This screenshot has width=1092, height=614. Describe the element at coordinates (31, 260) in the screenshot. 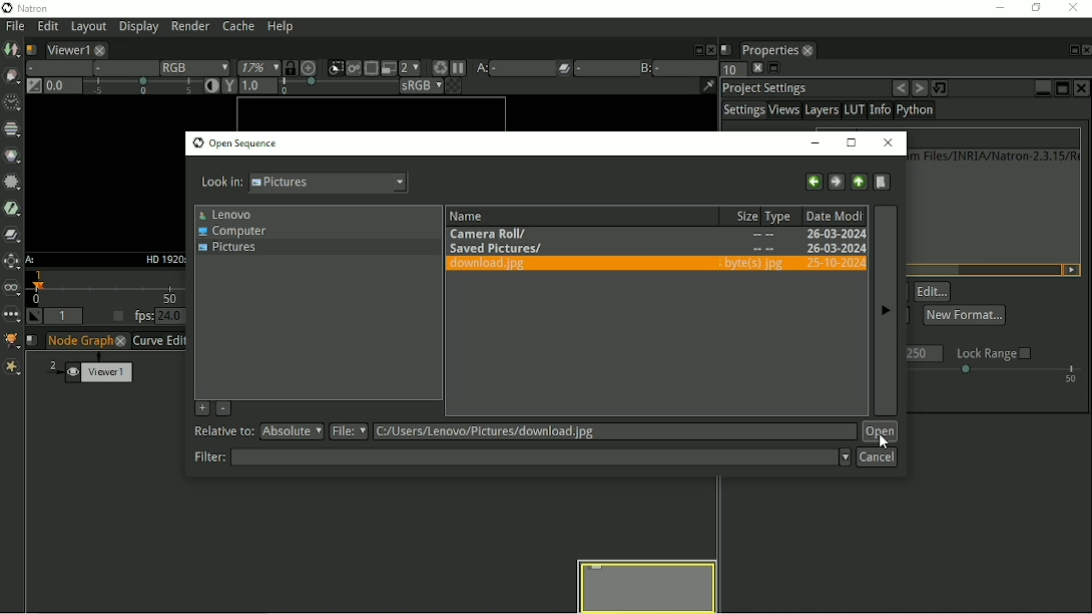

I see `A` at that location.